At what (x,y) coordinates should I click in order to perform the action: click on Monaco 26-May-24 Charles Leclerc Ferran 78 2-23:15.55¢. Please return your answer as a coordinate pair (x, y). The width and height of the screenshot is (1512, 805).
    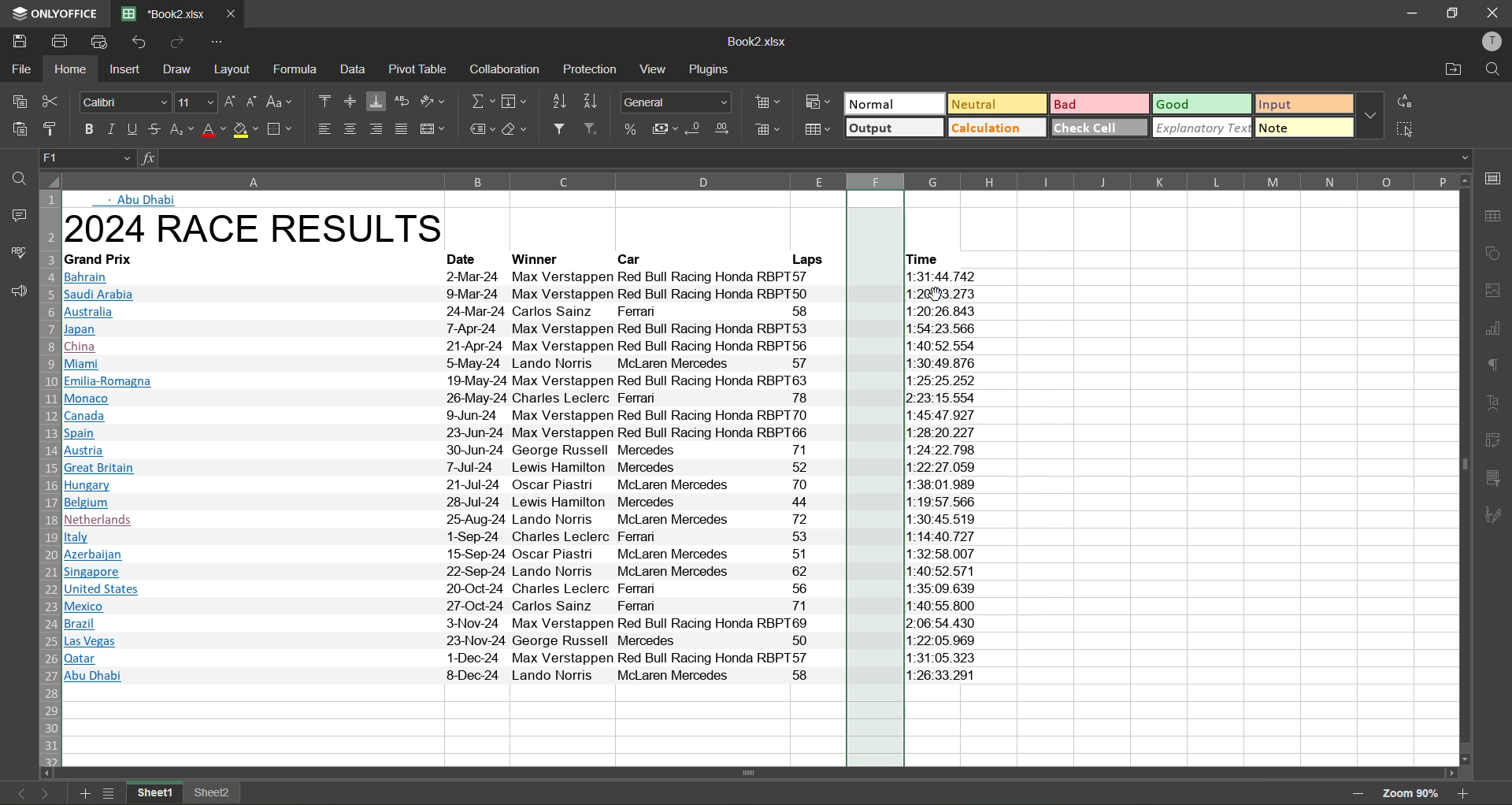
    Looking at the image, I should click on (446, 399).